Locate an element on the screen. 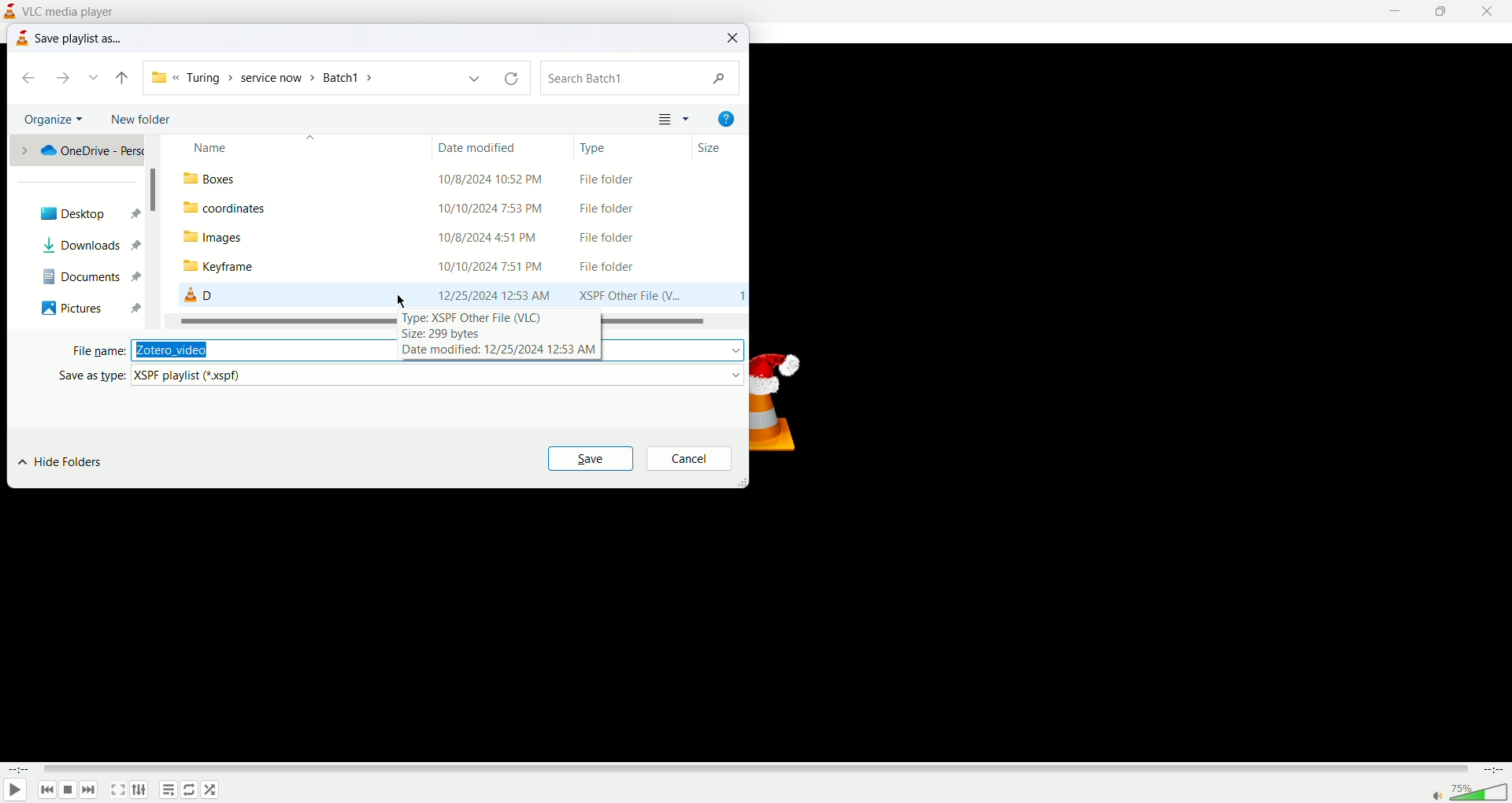 This screenshot has width=1512, height=803. search is located at coordinates (641, 79).